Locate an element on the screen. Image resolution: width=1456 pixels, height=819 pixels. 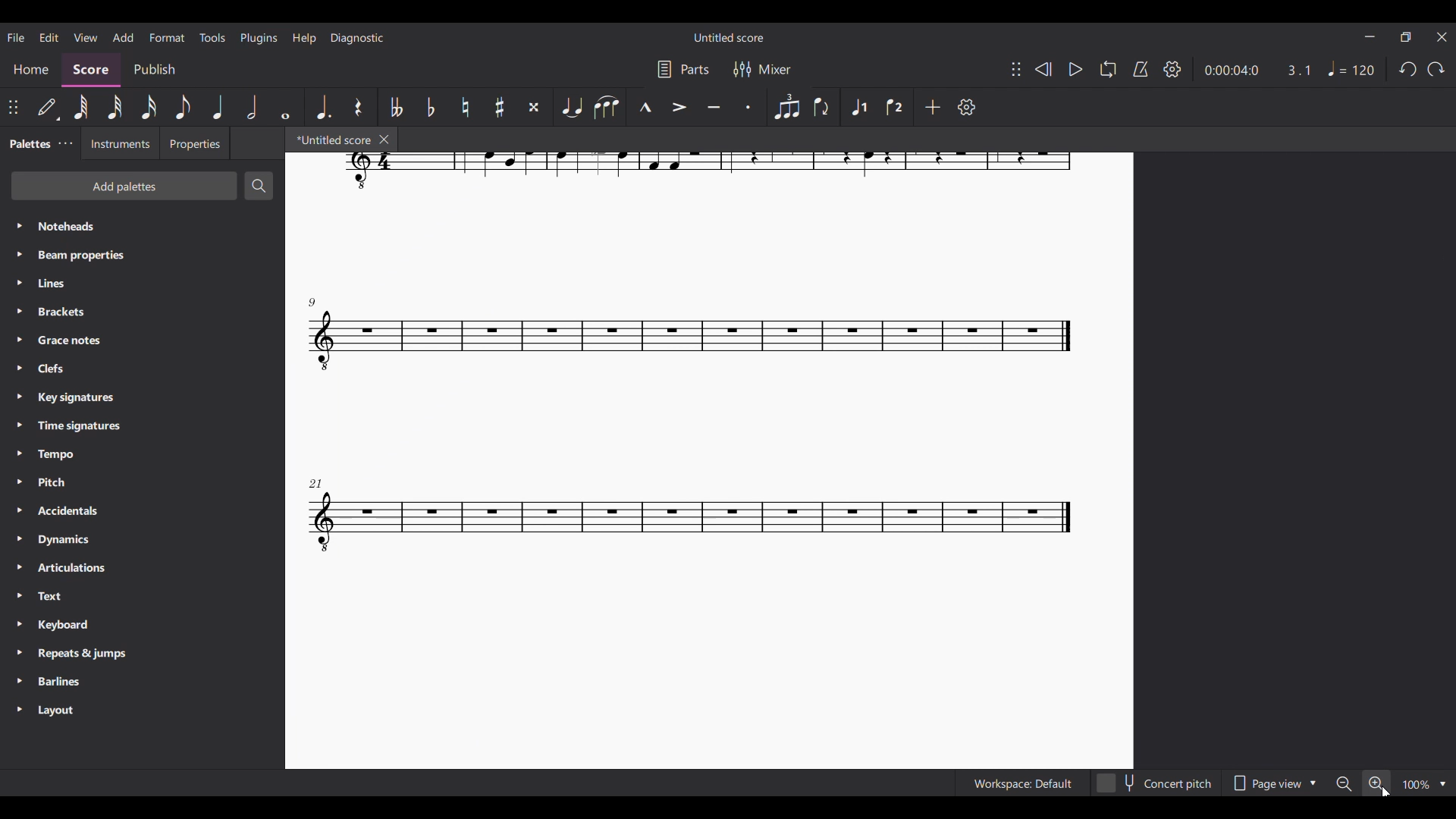
Settings  is located at coordinates (1172, 69).